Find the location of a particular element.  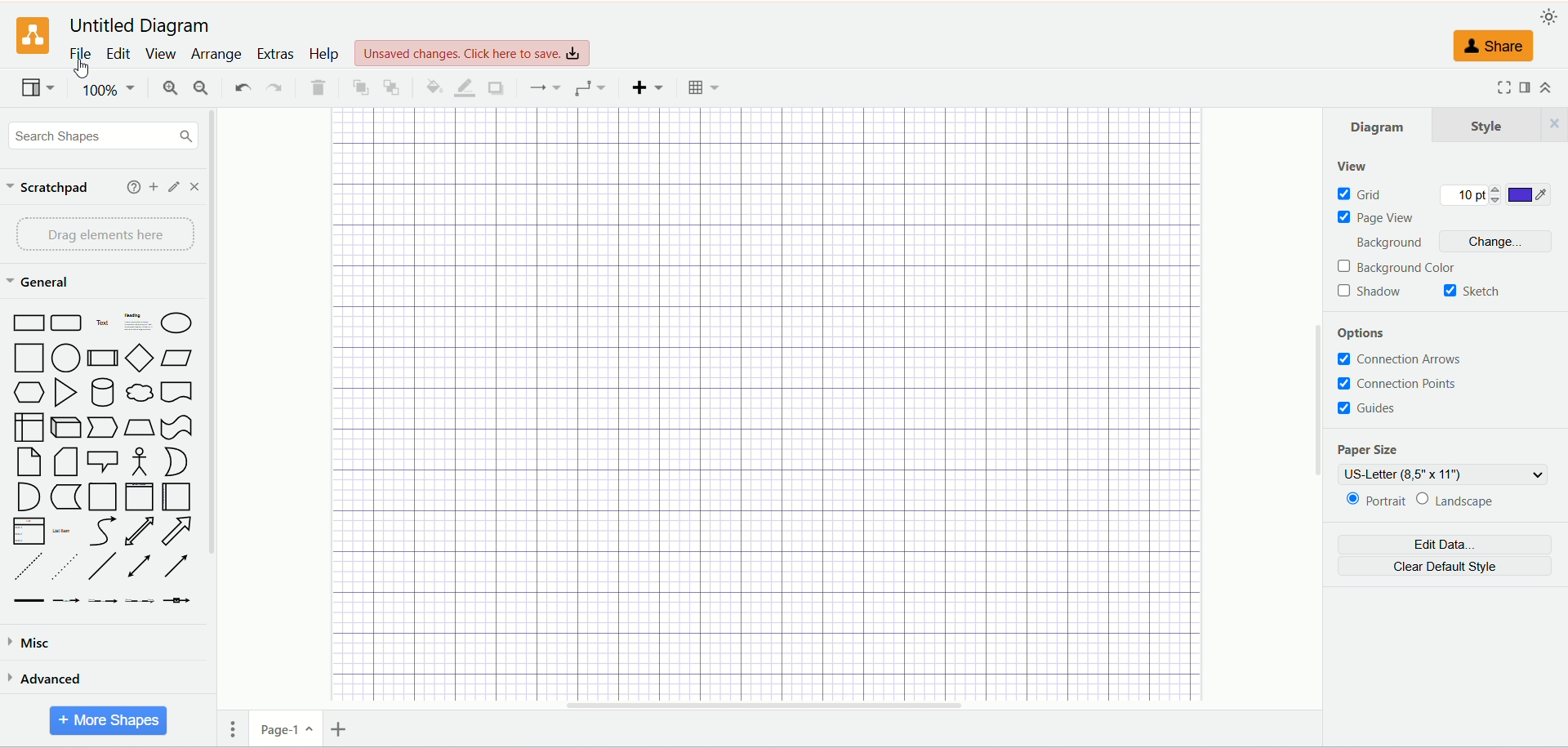

Square is located at coordinates (30, 359).